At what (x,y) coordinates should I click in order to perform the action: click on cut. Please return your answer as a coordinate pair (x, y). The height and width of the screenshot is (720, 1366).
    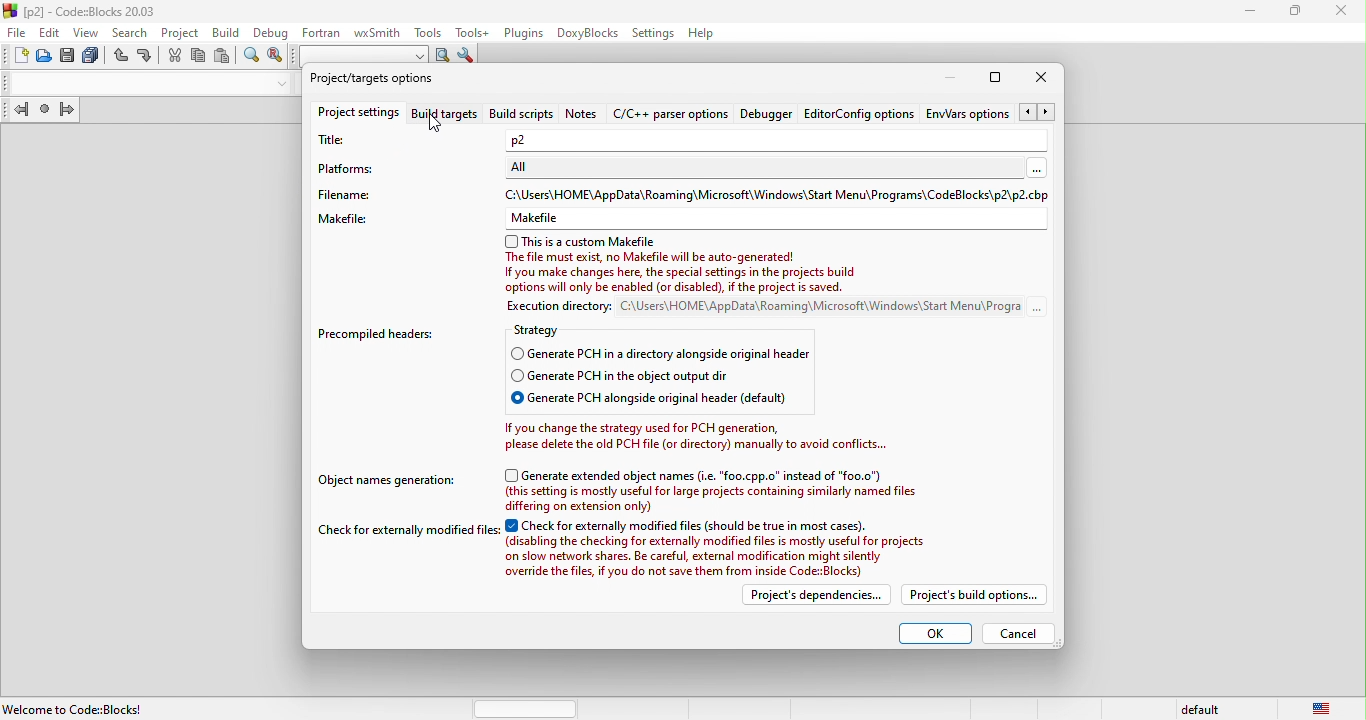
    Looking at the image, I should click on (173, 56).